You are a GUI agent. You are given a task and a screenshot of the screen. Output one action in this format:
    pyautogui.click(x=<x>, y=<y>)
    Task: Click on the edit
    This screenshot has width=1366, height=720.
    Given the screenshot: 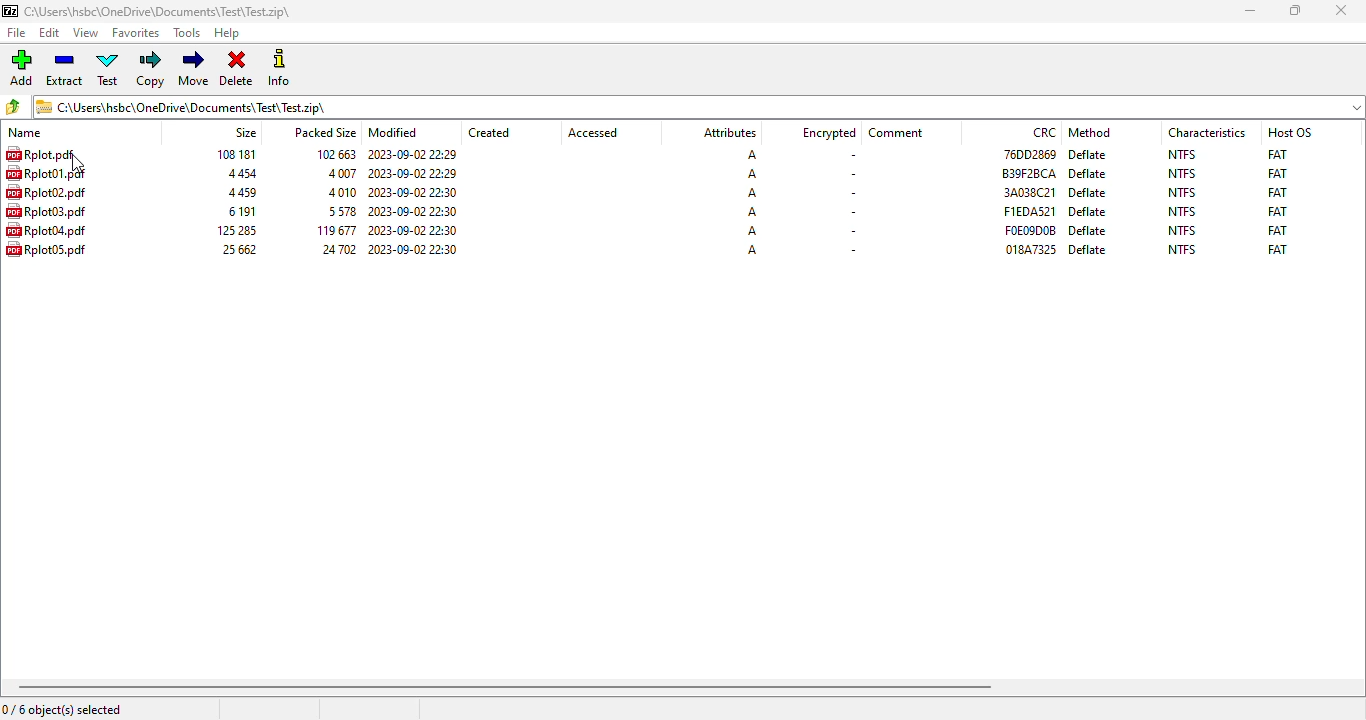 What is the action you would take?
    pyautogui.click(x=50, y=33)
    